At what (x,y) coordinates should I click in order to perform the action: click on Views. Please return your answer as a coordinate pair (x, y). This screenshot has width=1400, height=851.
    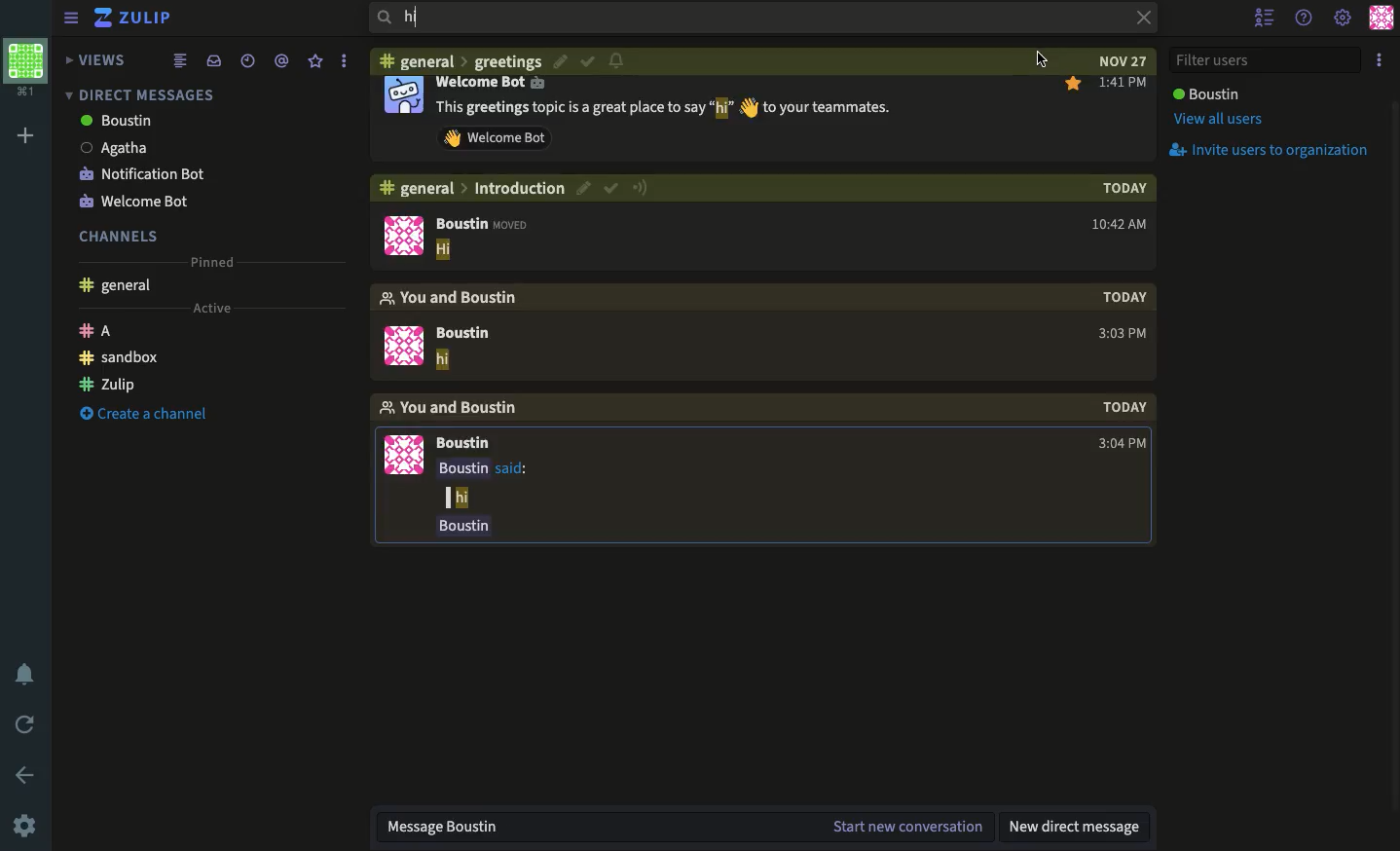
    Looking at the image, I should click on (93, 60).